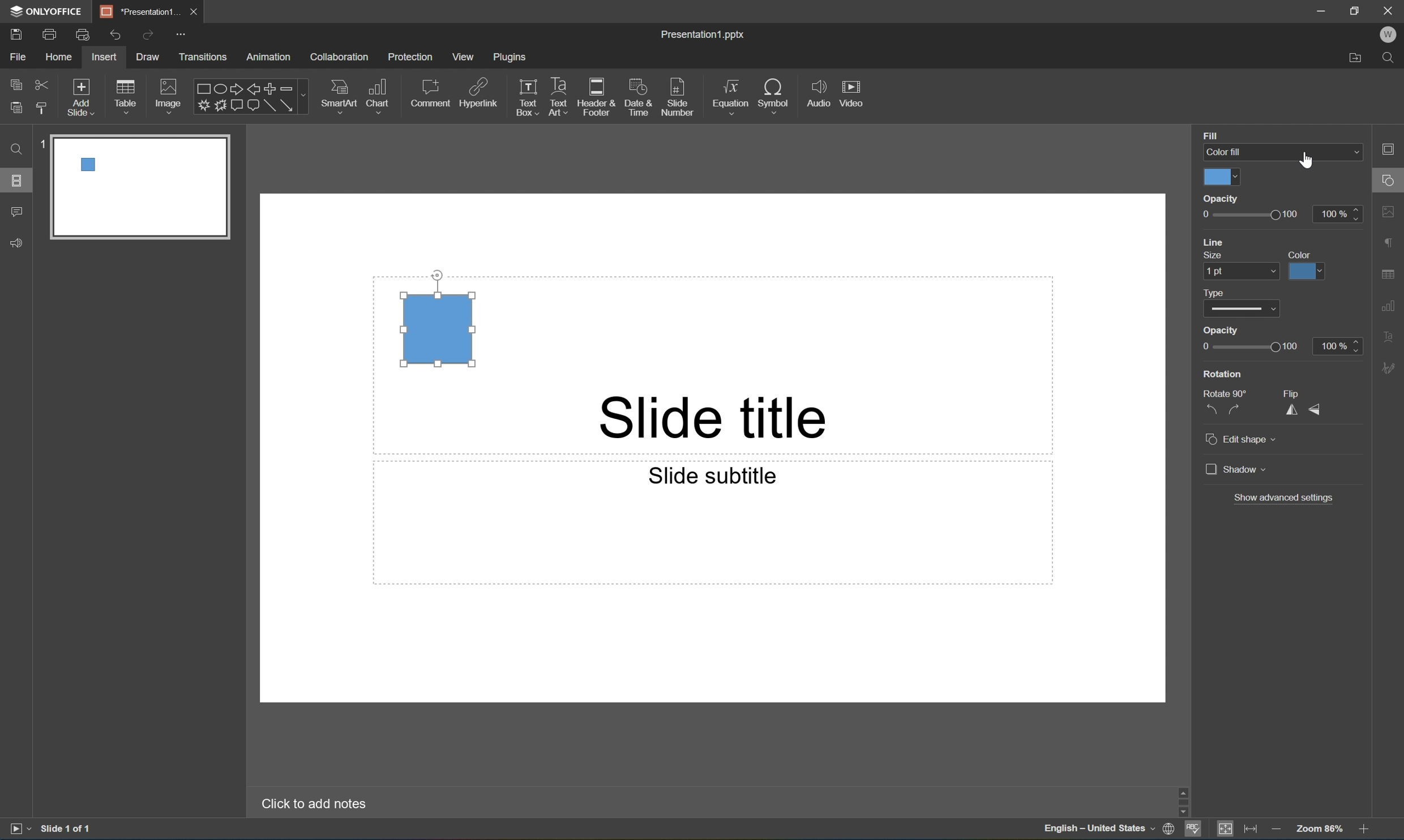 This screenshot has width=1404, height=840. I want to click on Color, so click(1305, 271).